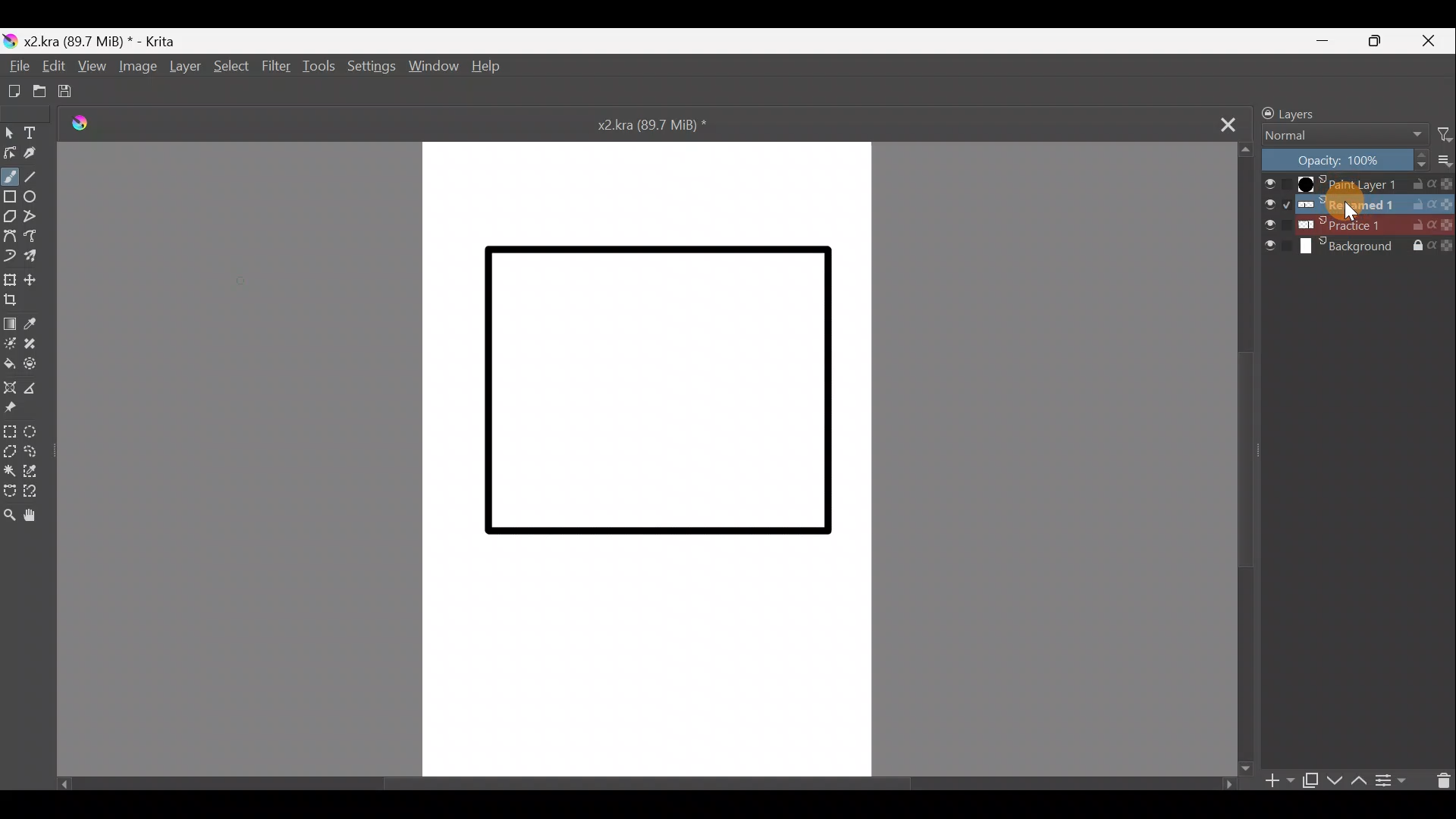 The image size is (1456, 819). What do you see at coordinates (369, 69) in the screenshot?
I see `Settings` at bounding box center [369, 69].